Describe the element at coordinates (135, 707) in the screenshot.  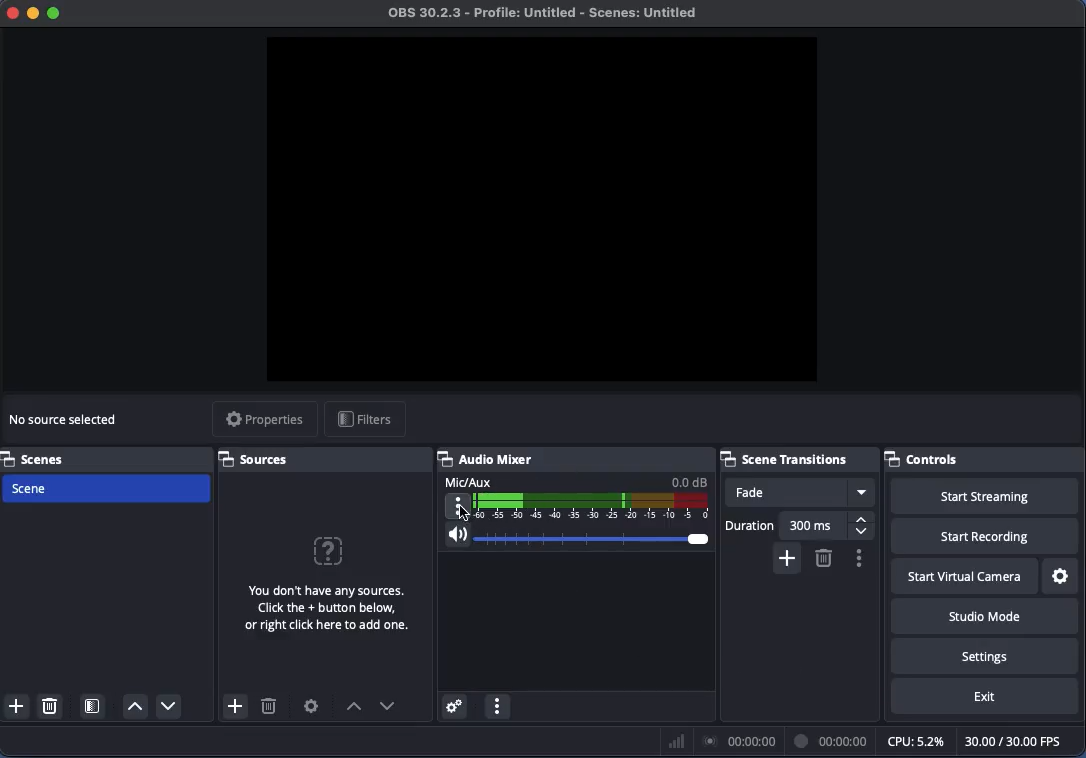
I see `Move up` at that location.